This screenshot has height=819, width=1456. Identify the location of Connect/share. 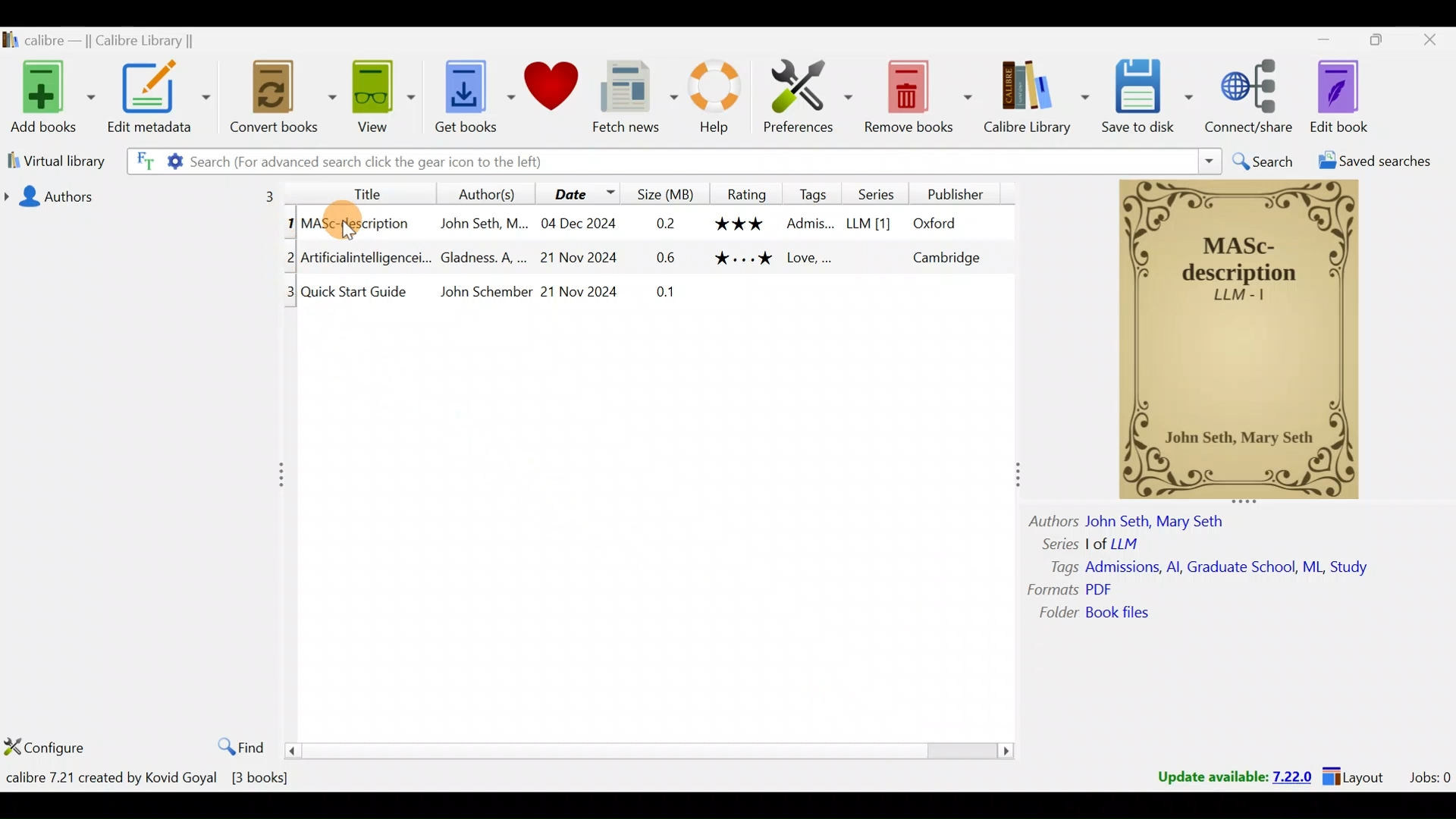
(1250, 97).